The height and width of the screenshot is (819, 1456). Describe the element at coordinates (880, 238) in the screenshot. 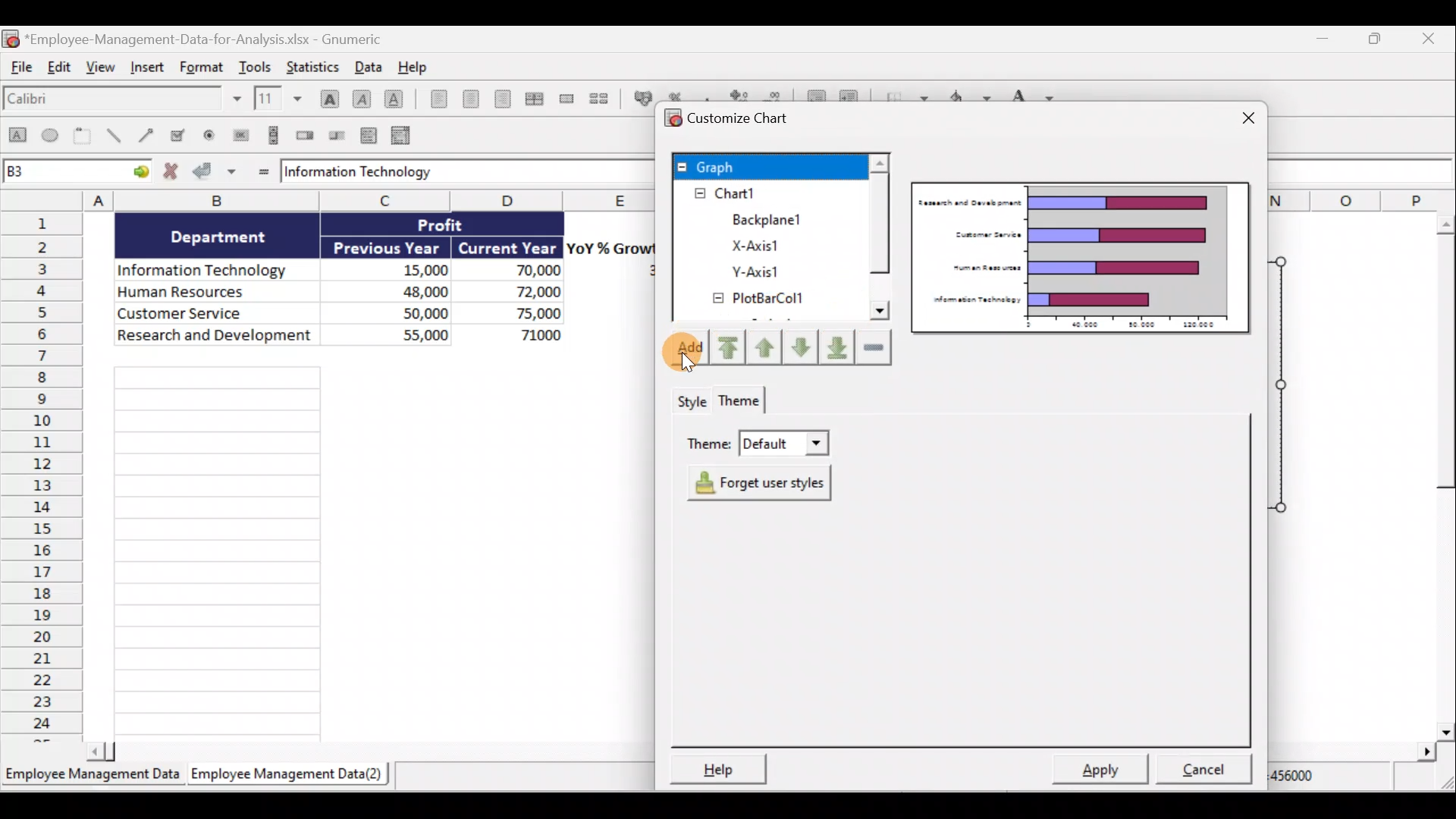

I see `Scroll bar` at that location.